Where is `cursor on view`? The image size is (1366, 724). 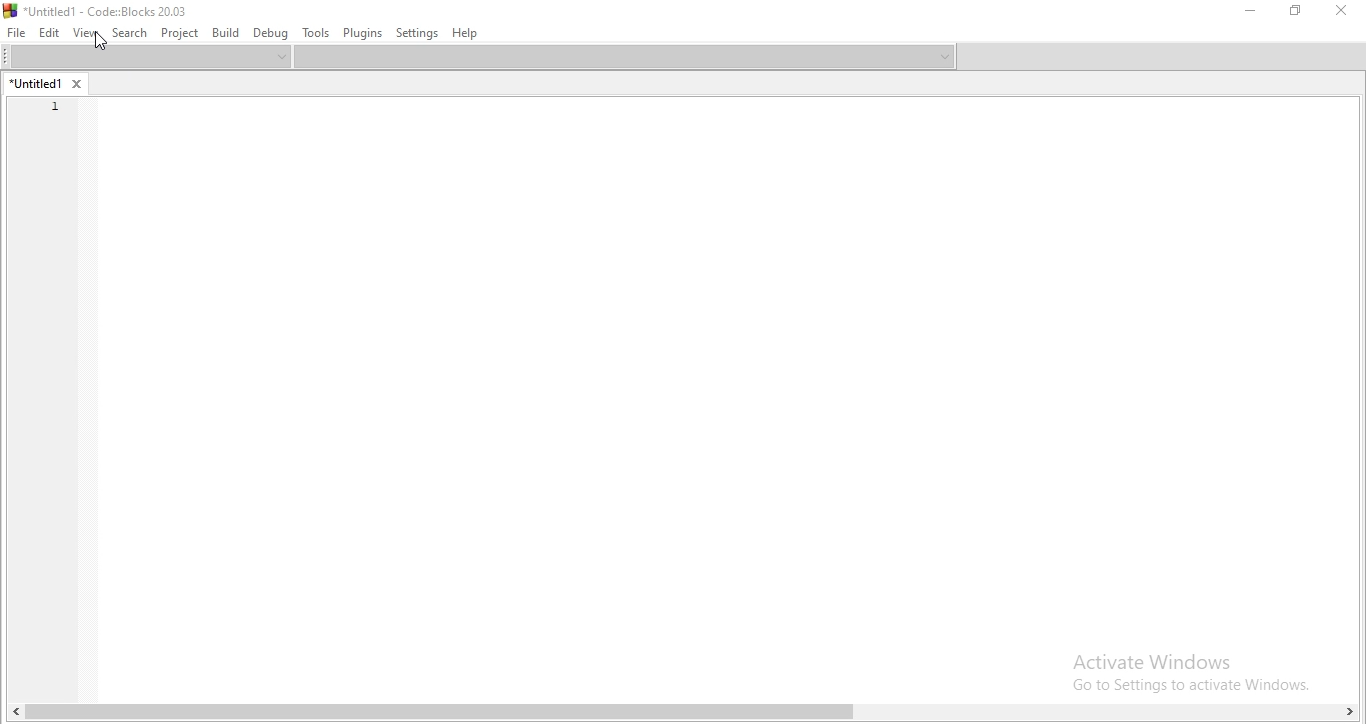
cursor on view is located at coordinates (99, 41).